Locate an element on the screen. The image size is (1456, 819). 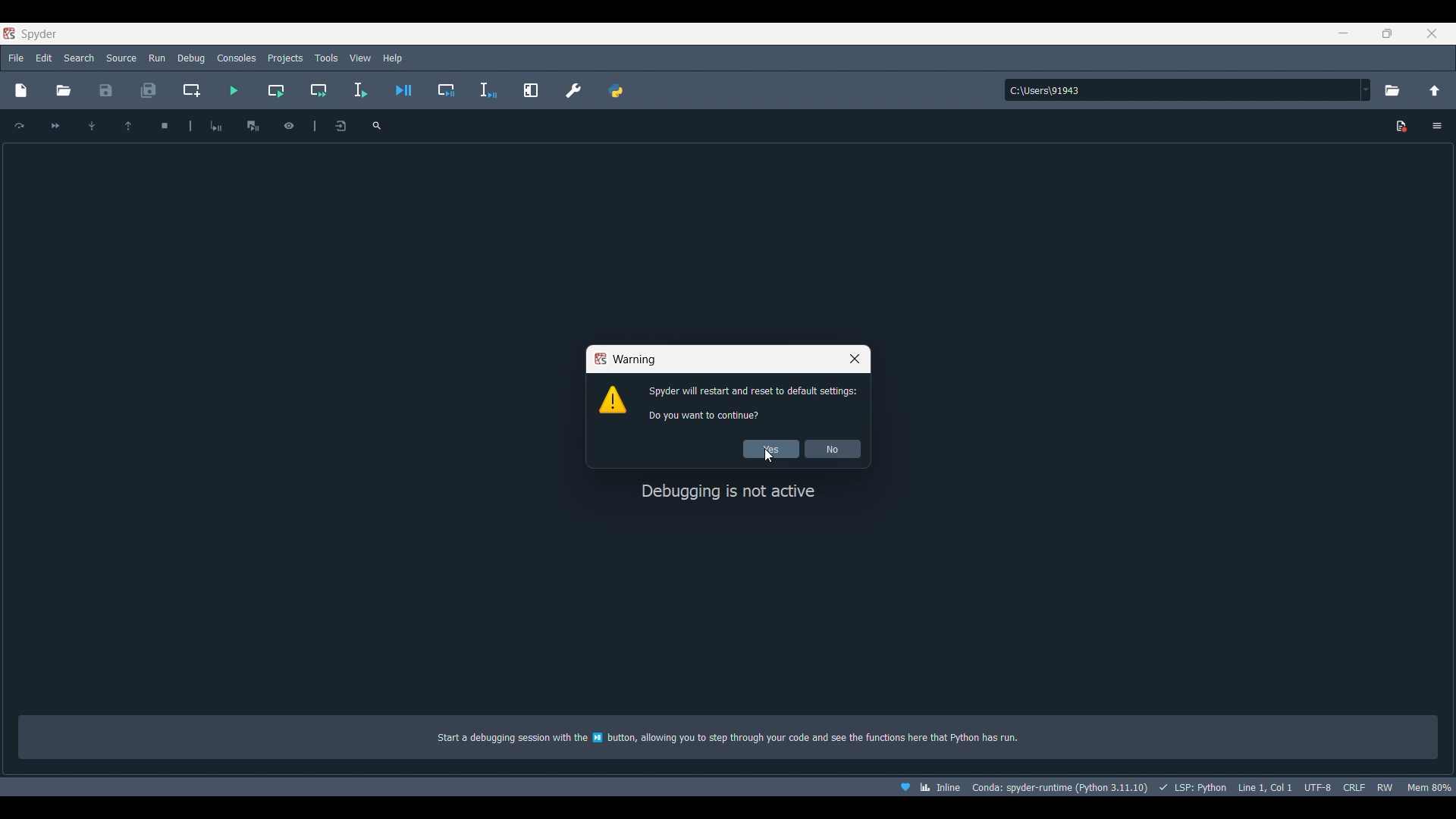
Inline is located at coordinates (924, 787).